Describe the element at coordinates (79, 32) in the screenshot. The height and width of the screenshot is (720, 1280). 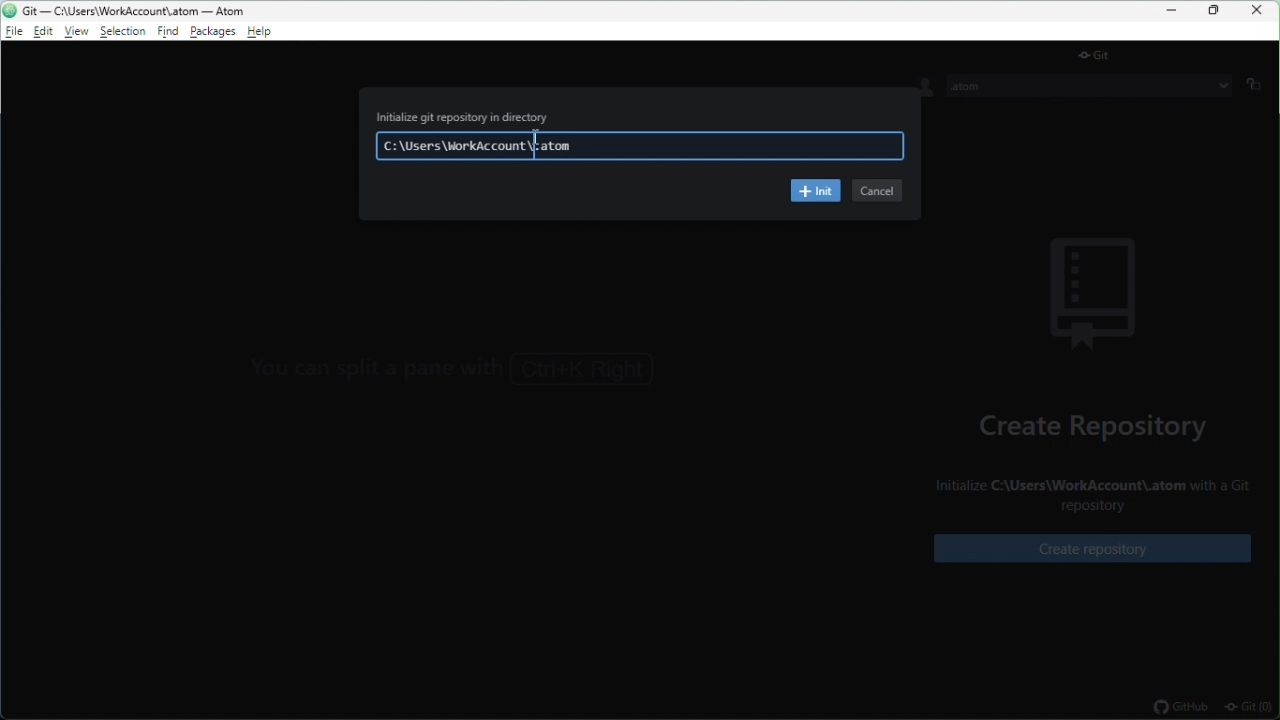
I see `view` at that location.